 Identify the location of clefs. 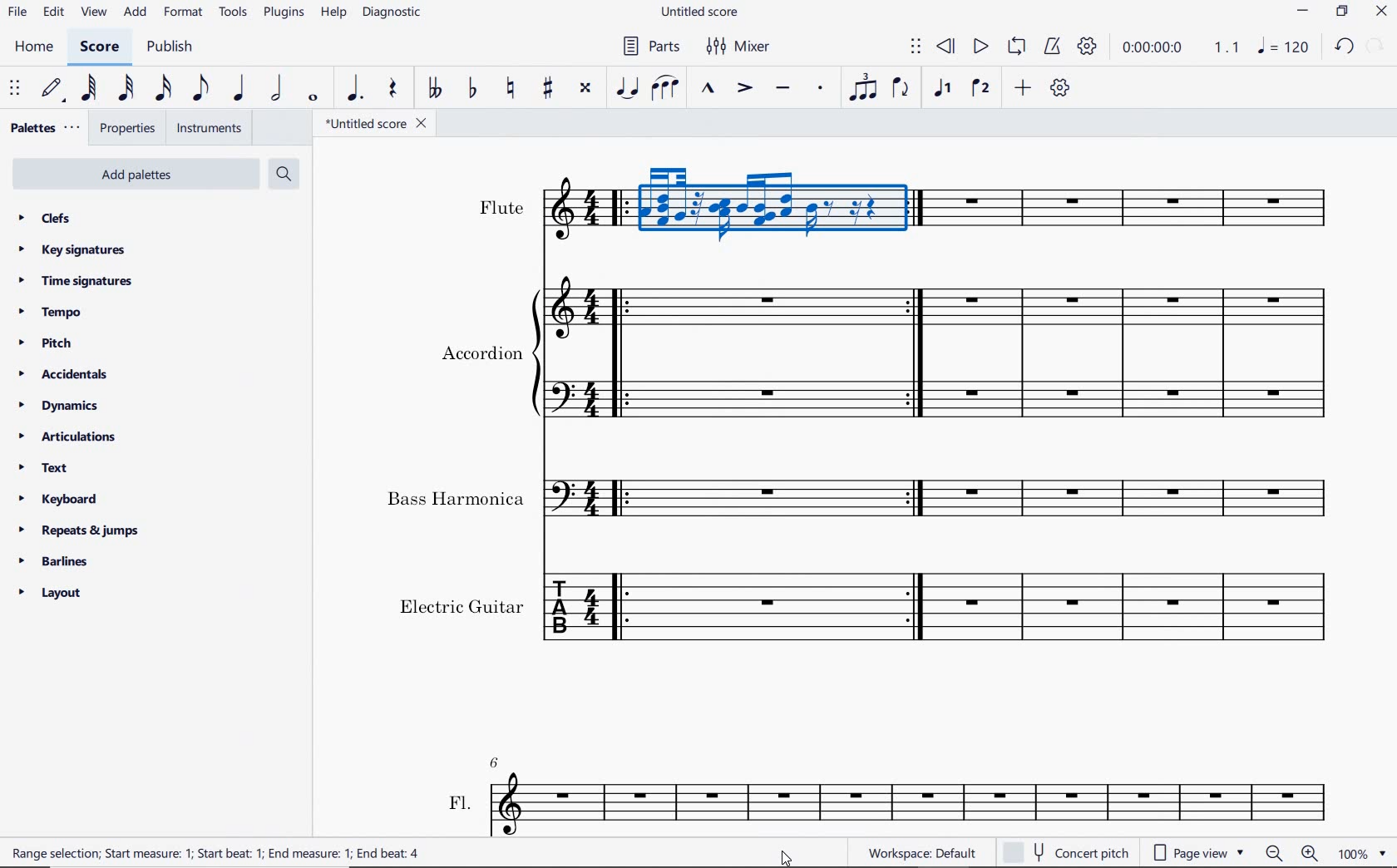
(44, 218).